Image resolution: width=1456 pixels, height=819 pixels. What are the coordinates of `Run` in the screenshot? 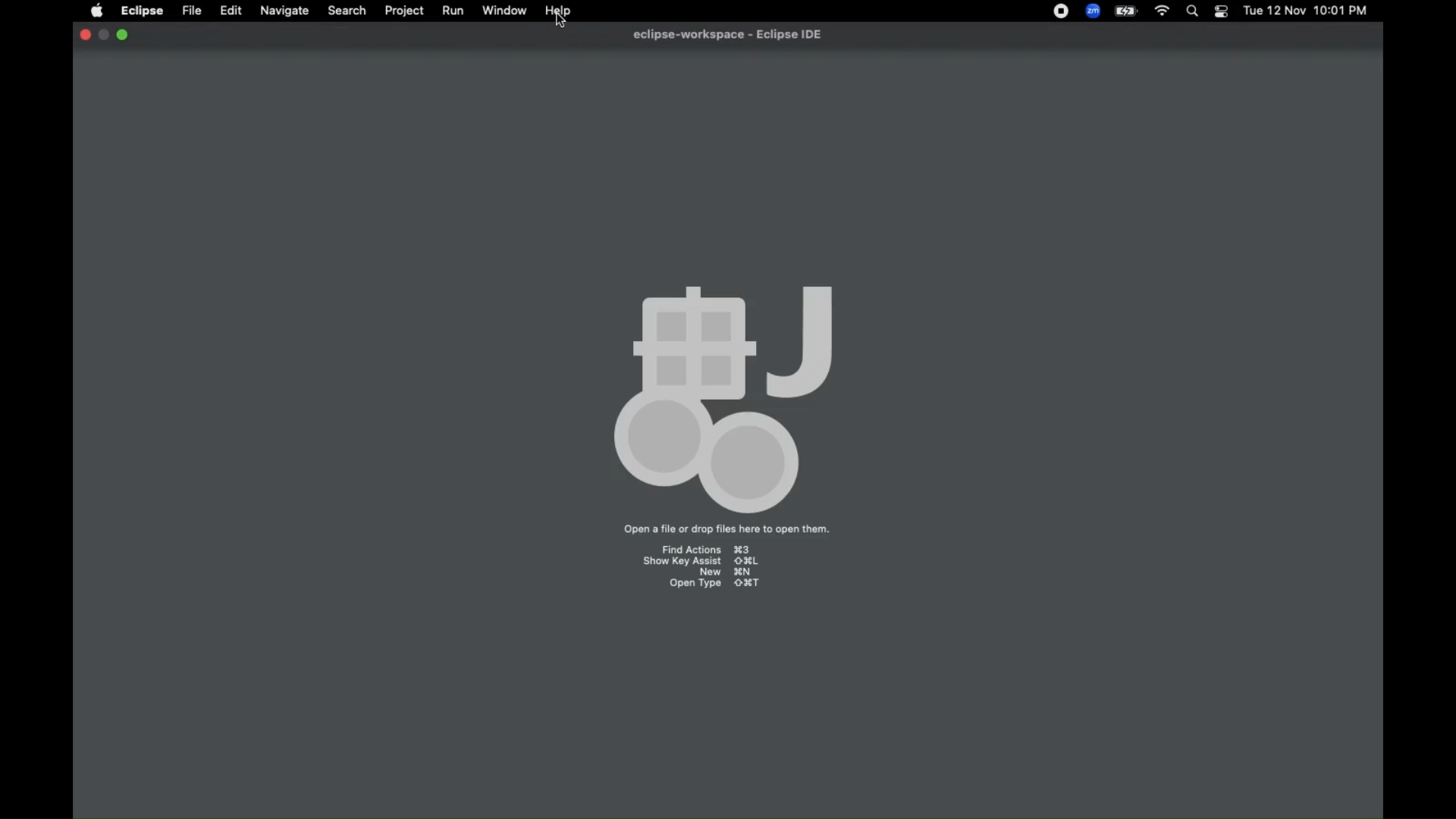 It's located at (453, 12).